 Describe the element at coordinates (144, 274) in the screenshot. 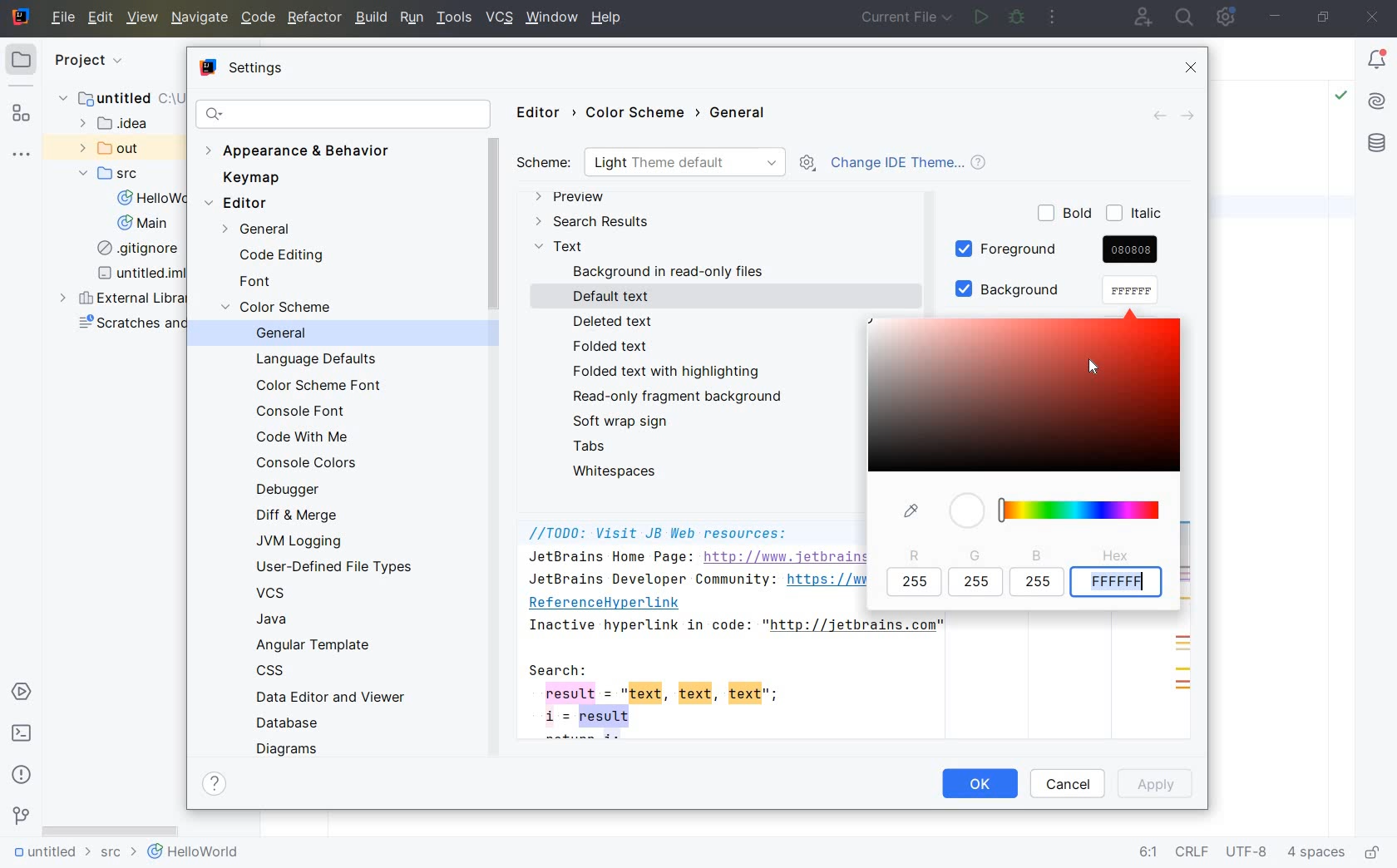

I see `untitled` at that location.